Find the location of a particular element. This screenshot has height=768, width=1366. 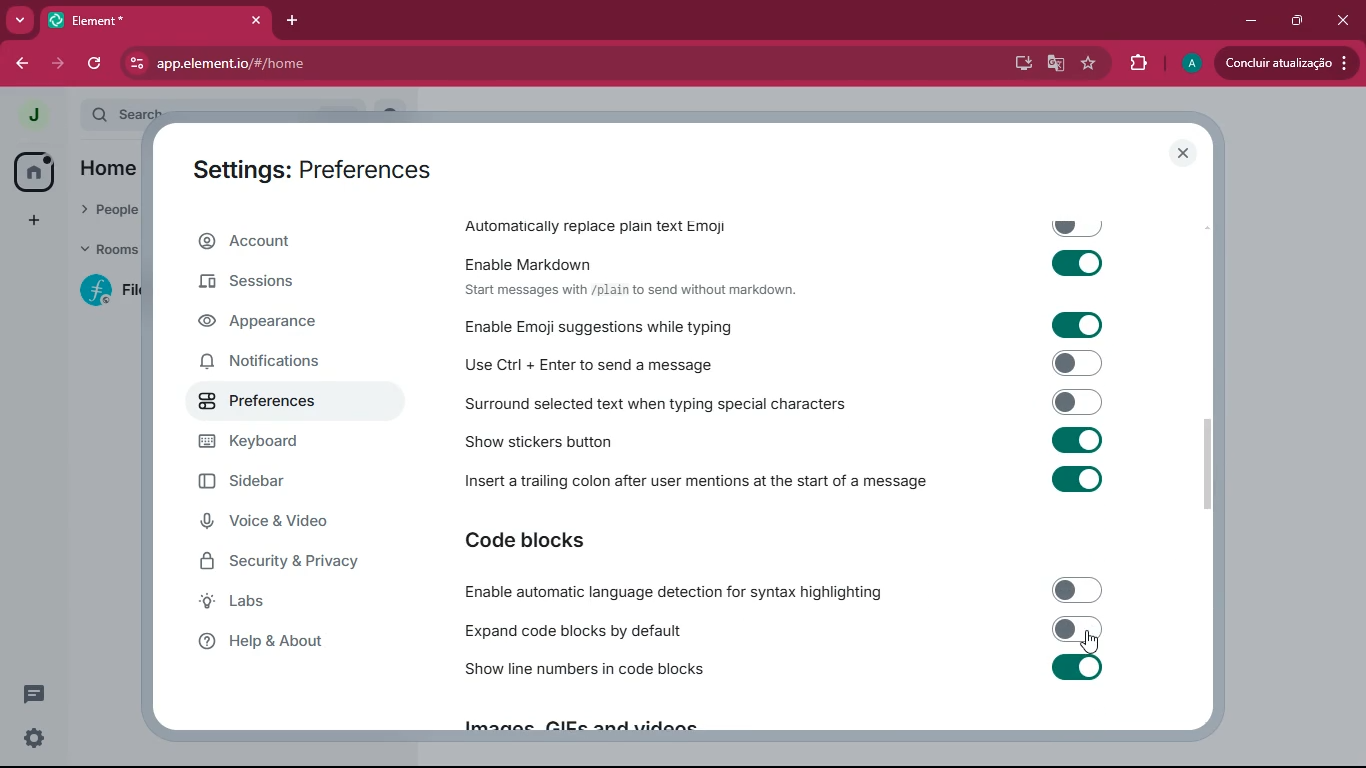

help is located at coordinates (289, 647).